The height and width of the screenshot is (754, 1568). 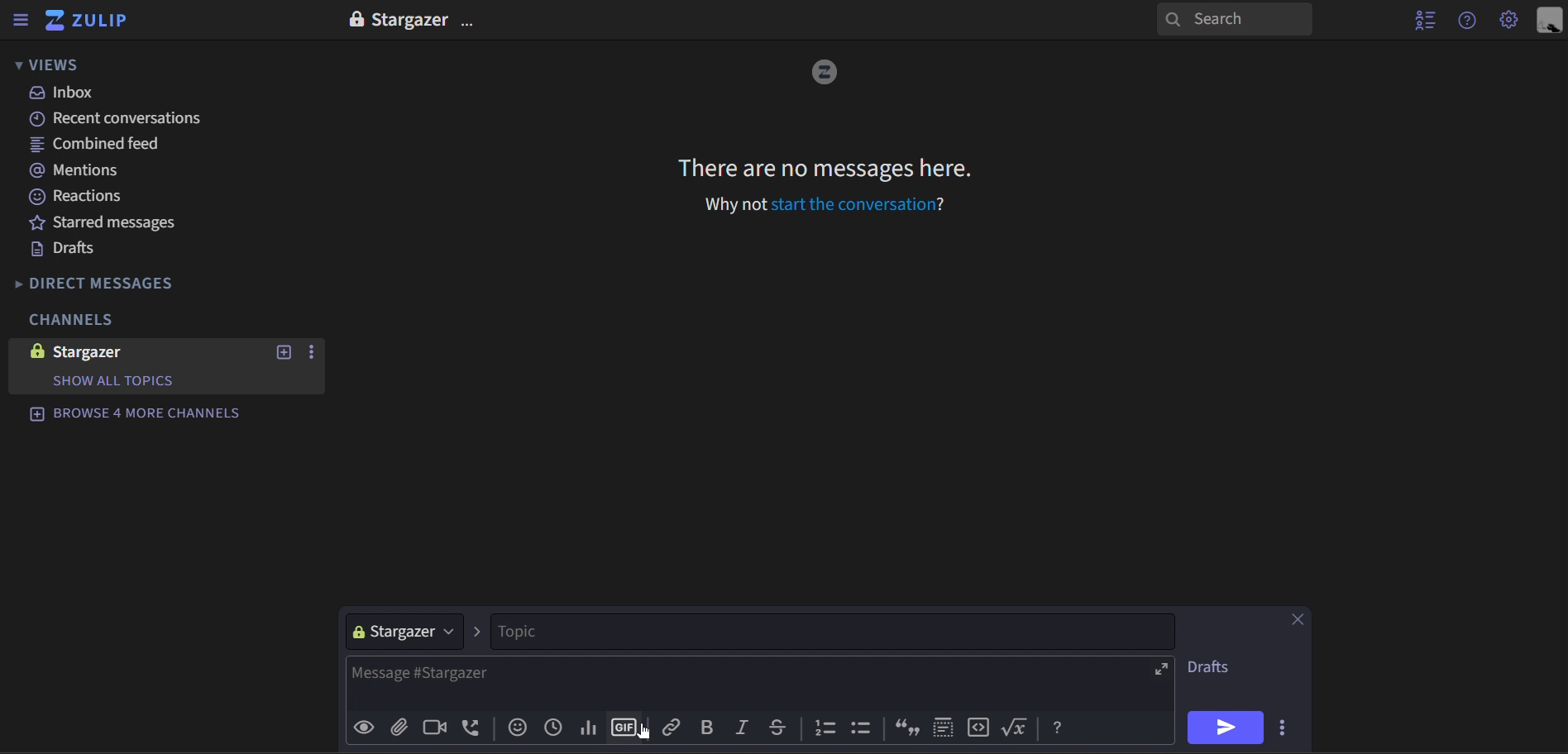 What do you see at coordinates (783, 730) in the screenshot?
I see `strike through` at bounding box center [783, 730].